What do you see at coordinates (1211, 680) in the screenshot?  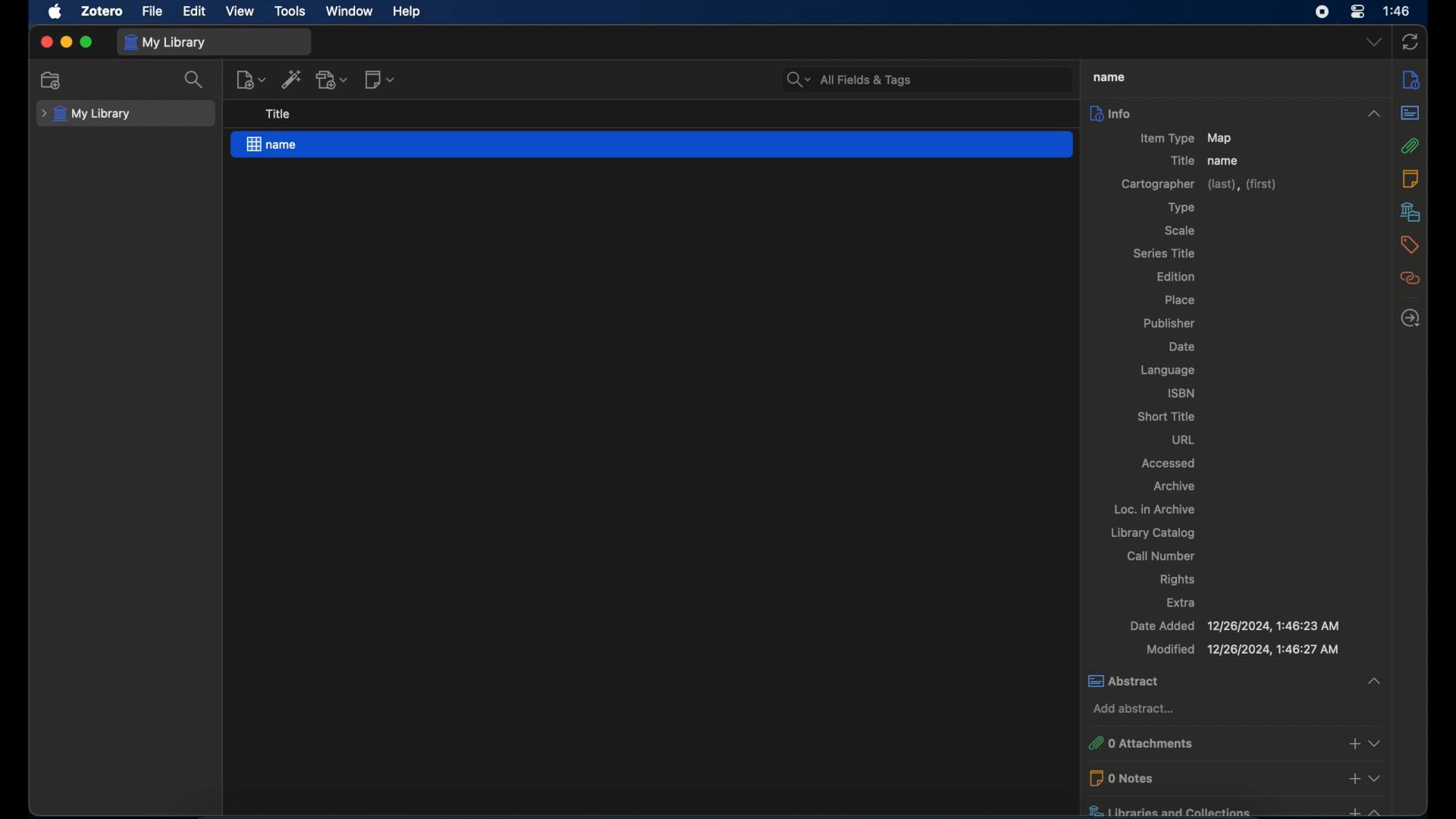 I see `abstract` at bounding box center [1211, 680].